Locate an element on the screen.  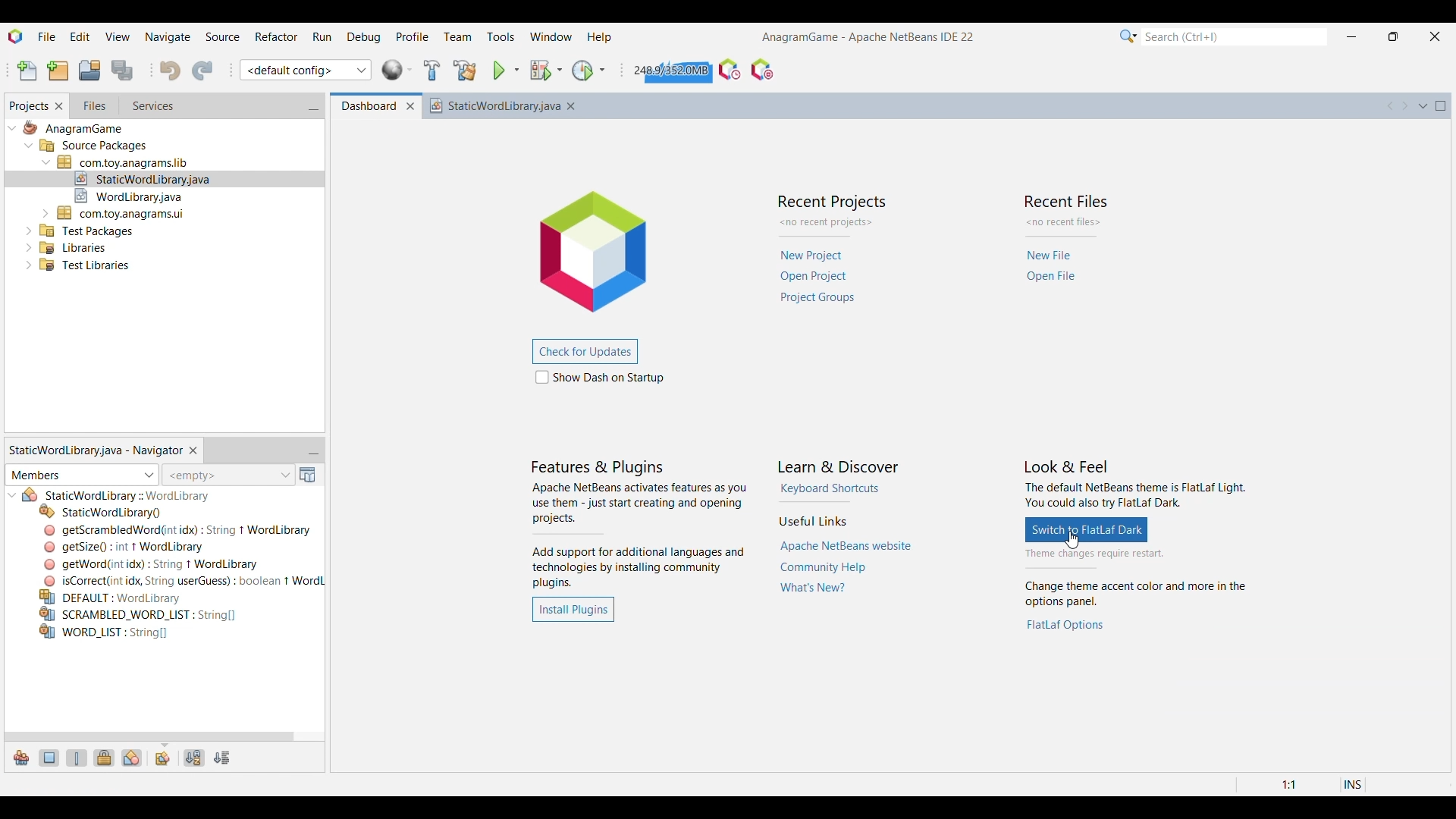
Minimize window group is located at coordinates (313, 451).